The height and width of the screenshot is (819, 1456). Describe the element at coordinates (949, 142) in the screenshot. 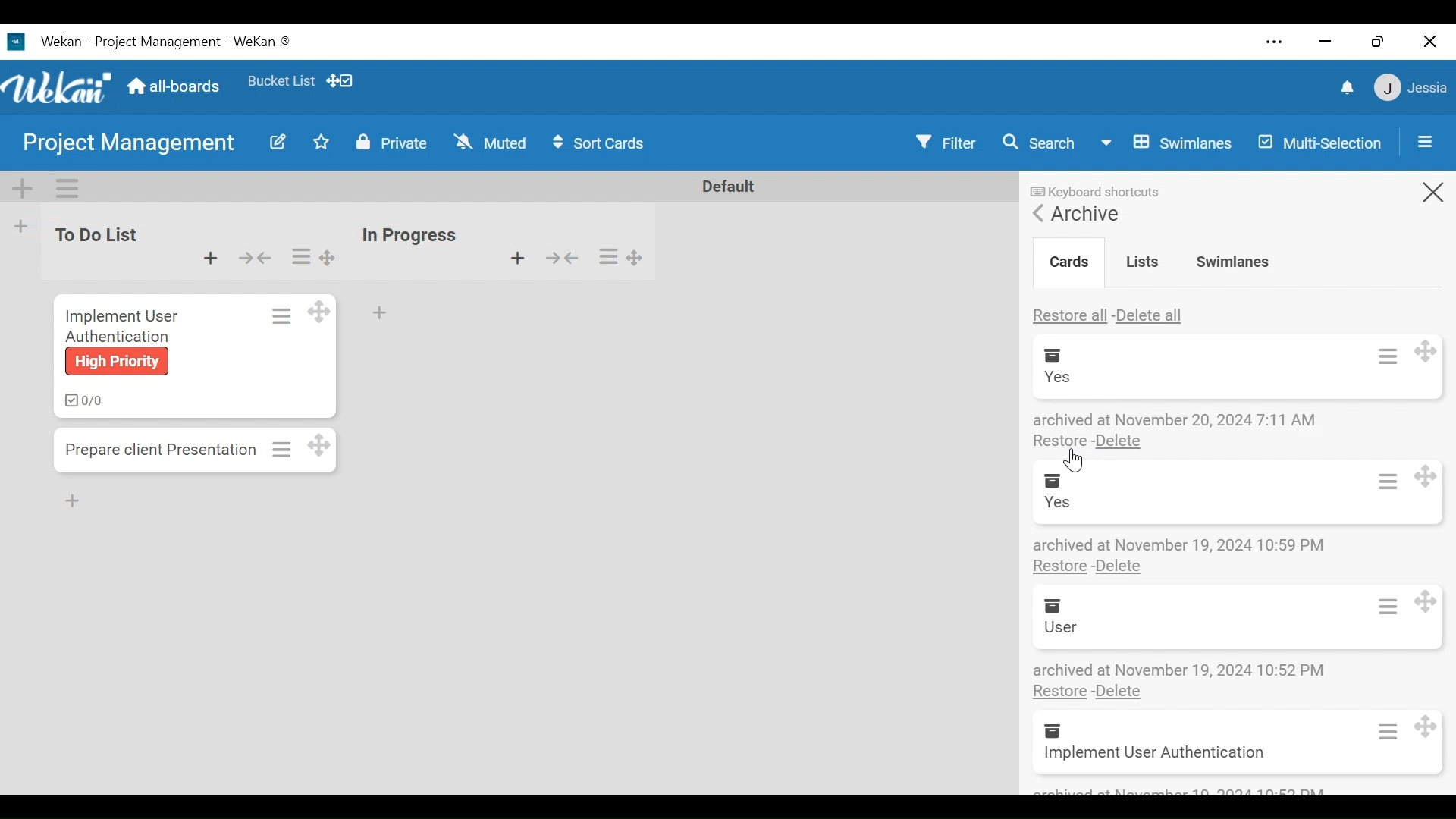

I see `Filter` at that location.